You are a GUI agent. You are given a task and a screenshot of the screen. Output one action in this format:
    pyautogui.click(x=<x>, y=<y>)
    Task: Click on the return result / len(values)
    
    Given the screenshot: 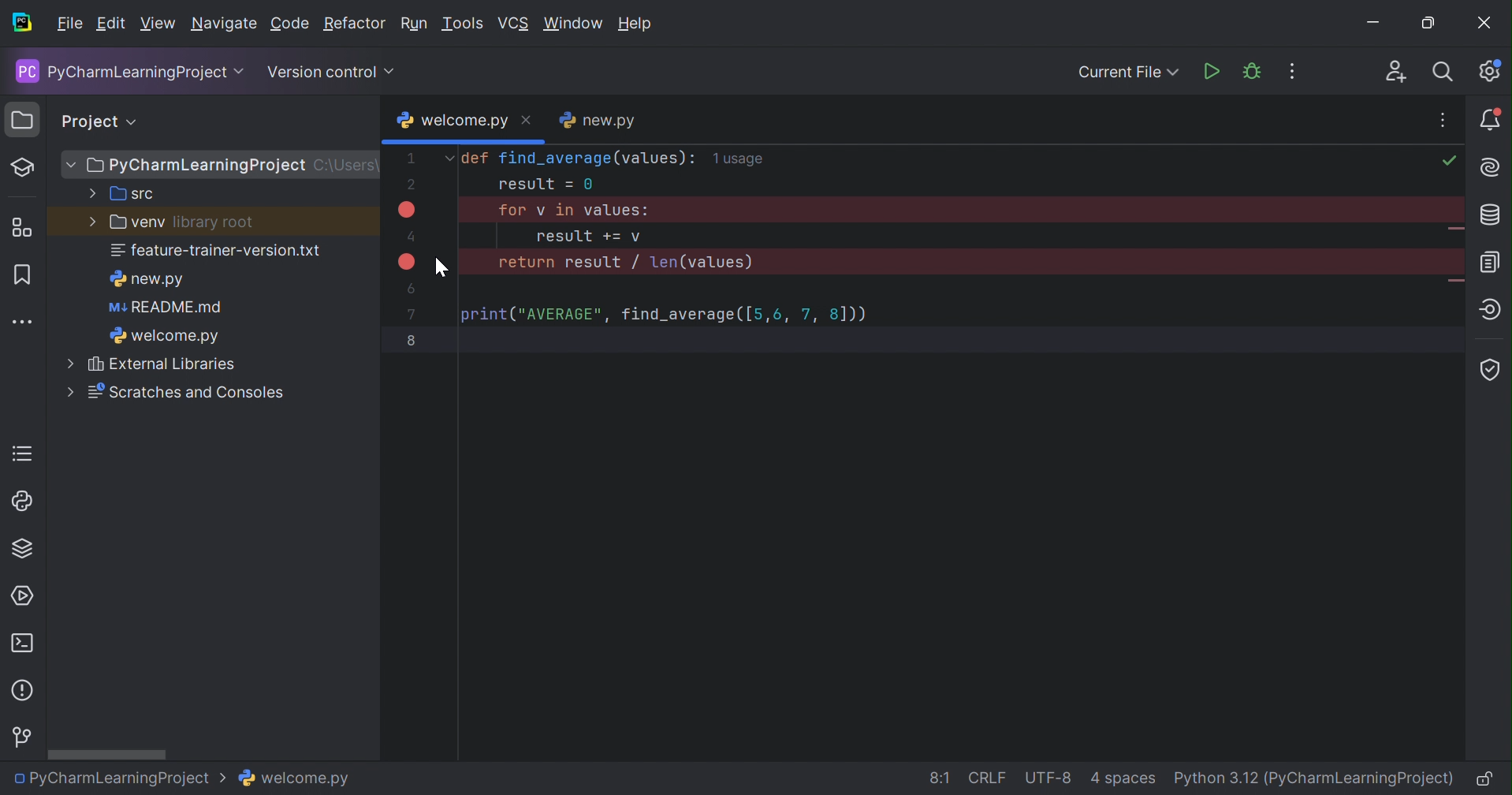 What is the action you would take?
    pyautogui.click(x=627, y=263)
    